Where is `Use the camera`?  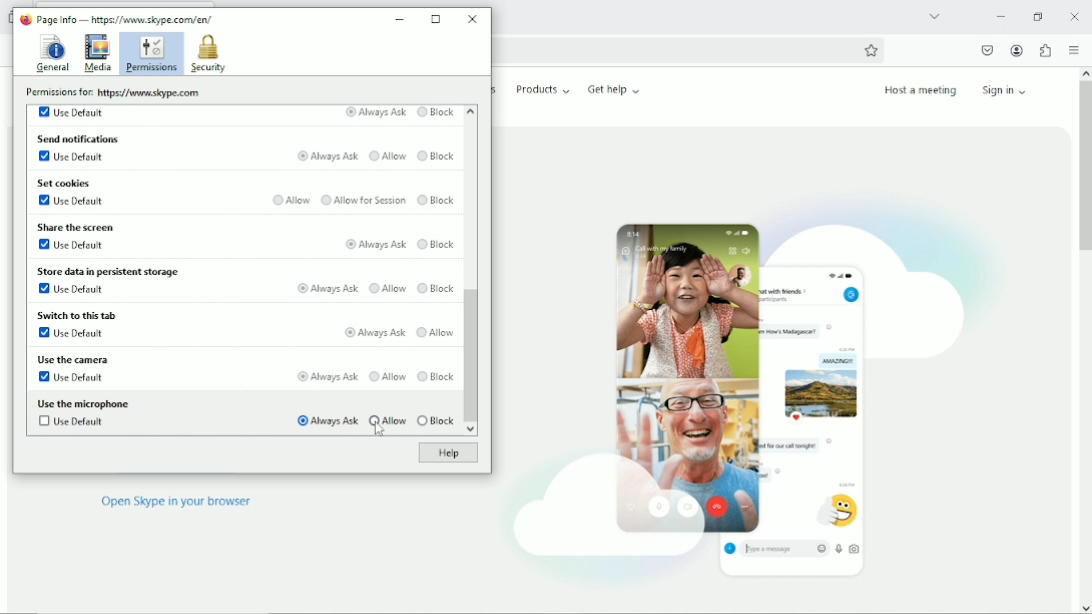 Use the camera is located at coordinates (71, 359).